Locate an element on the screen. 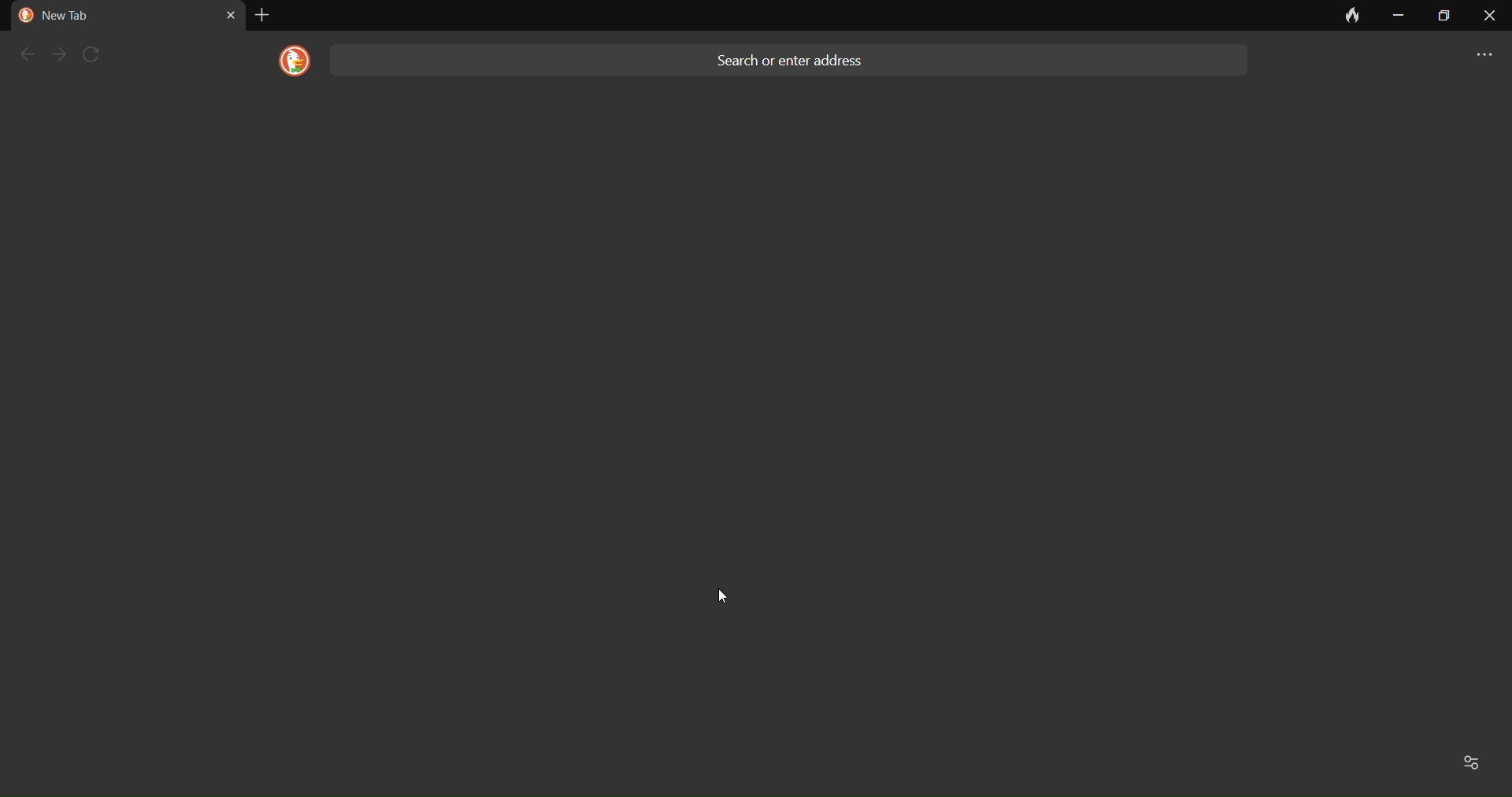  close is located at coordinates (1489, 20).